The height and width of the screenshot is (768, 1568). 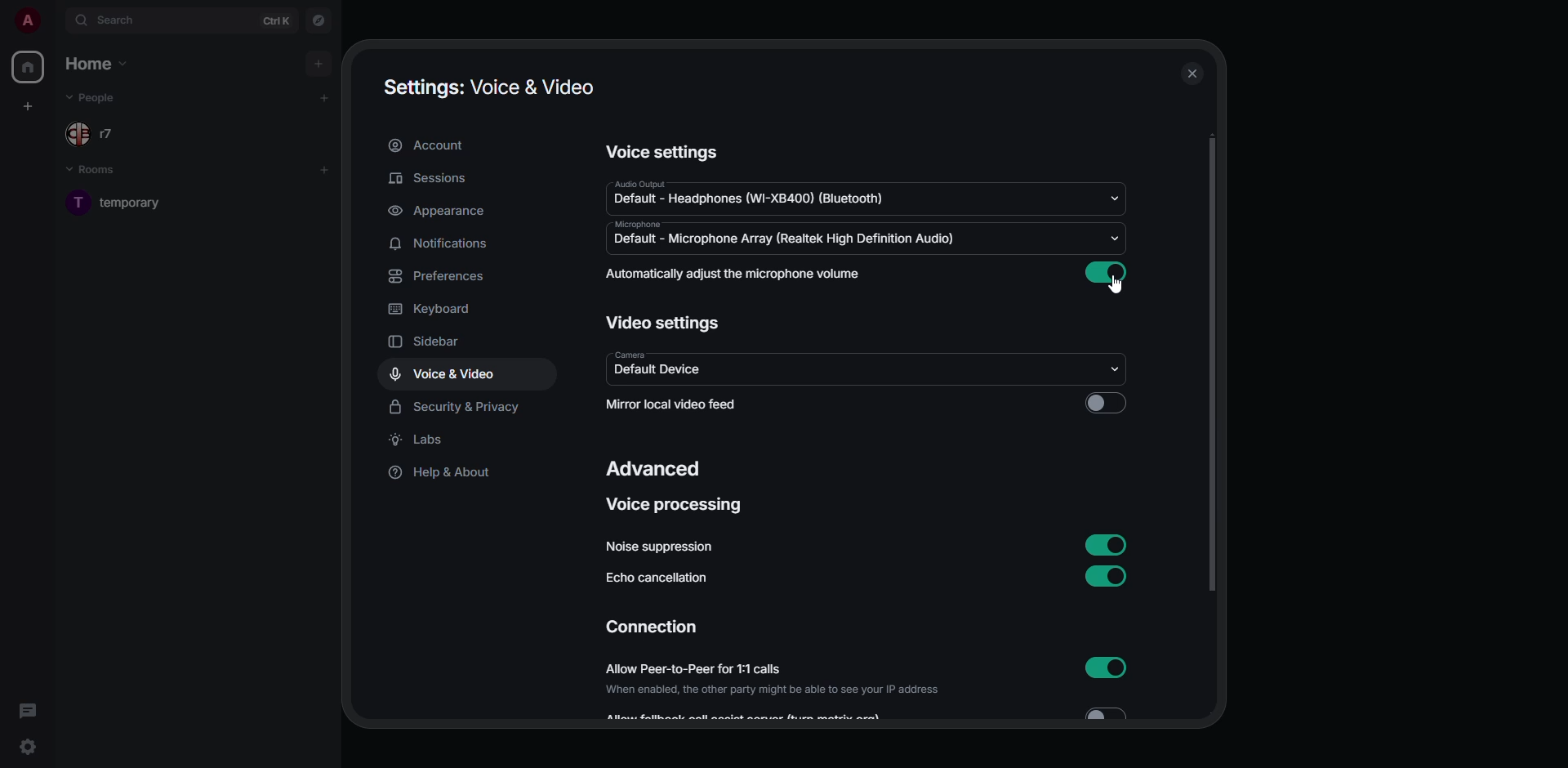 I want to click on a, so click(x=28, y=19).